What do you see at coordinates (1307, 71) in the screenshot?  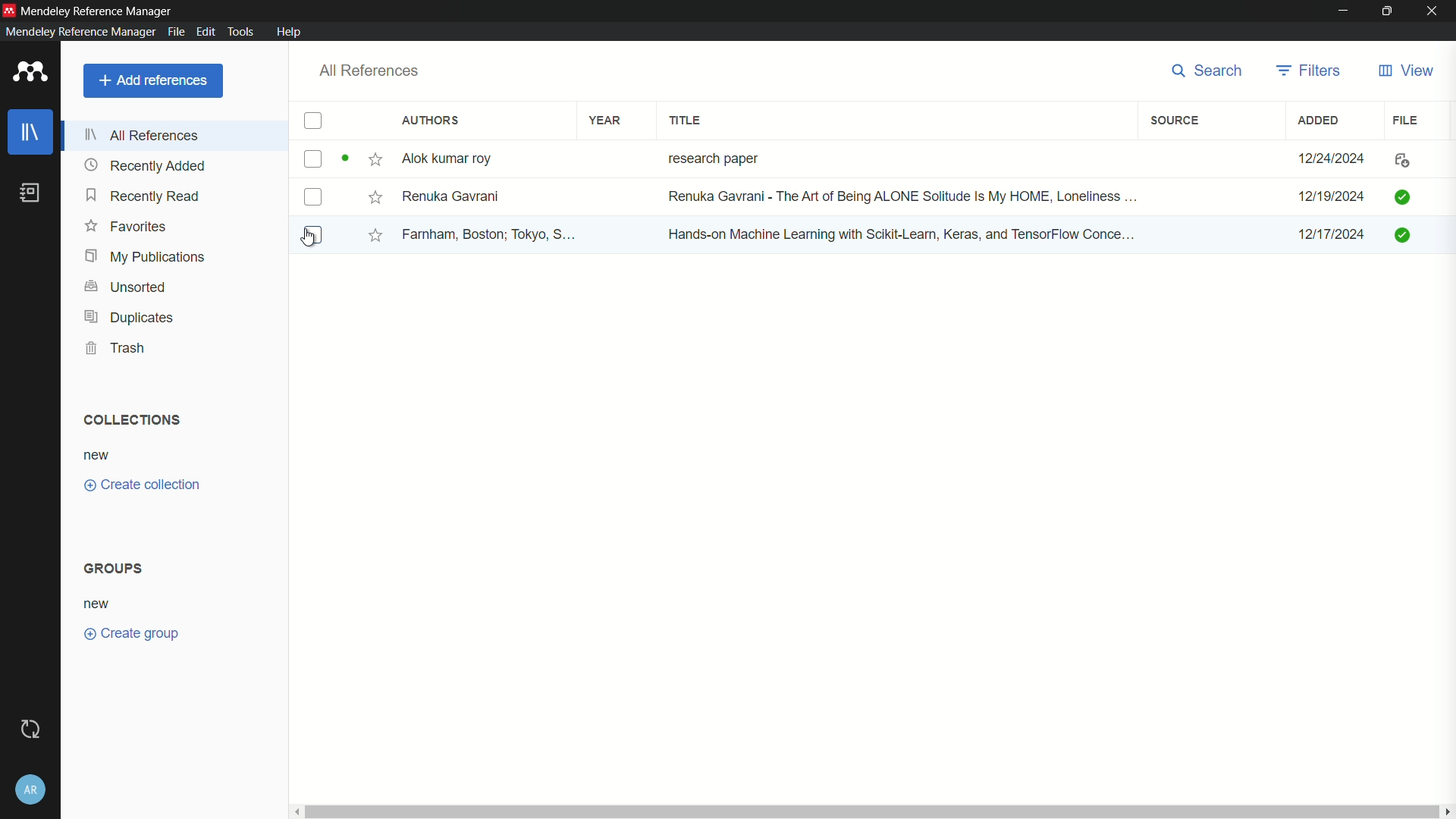 I see `filters` at bounding box center [1307, 71].